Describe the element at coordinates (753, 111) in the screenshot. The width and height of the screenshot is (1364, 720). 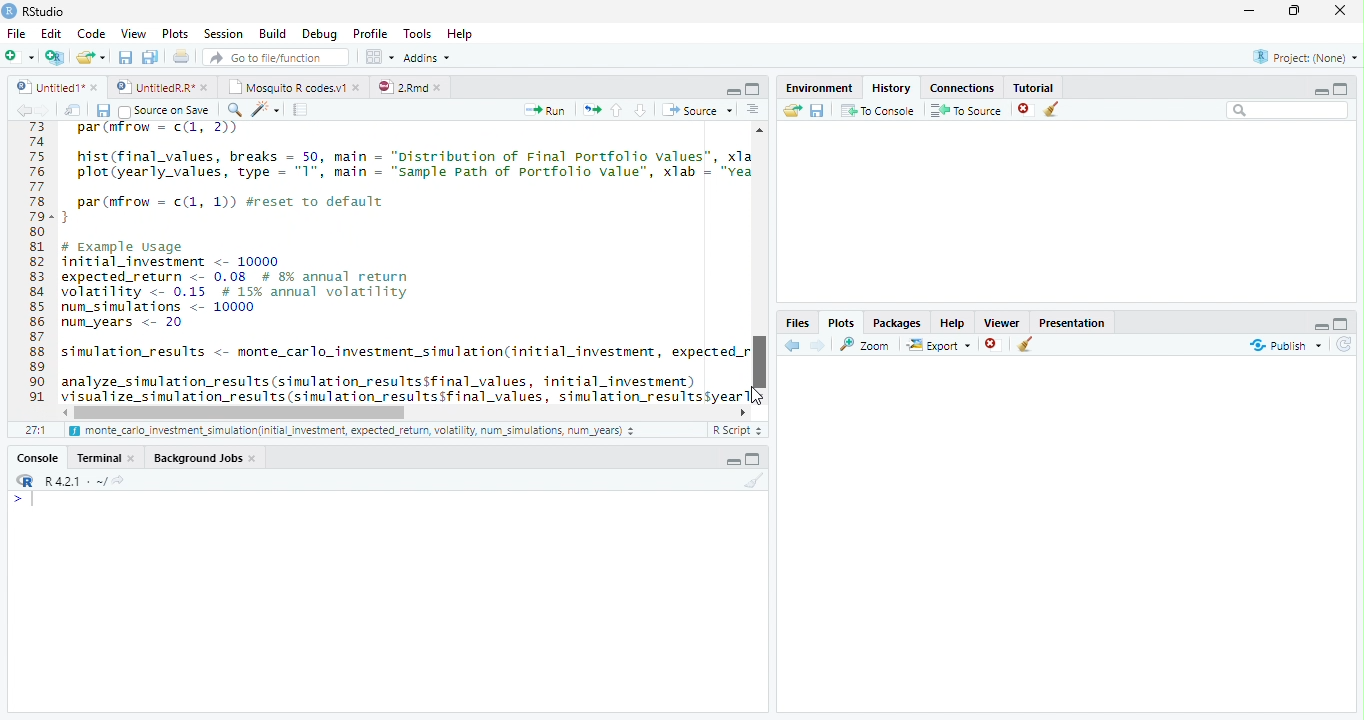
I see `Show document outline` at that location.